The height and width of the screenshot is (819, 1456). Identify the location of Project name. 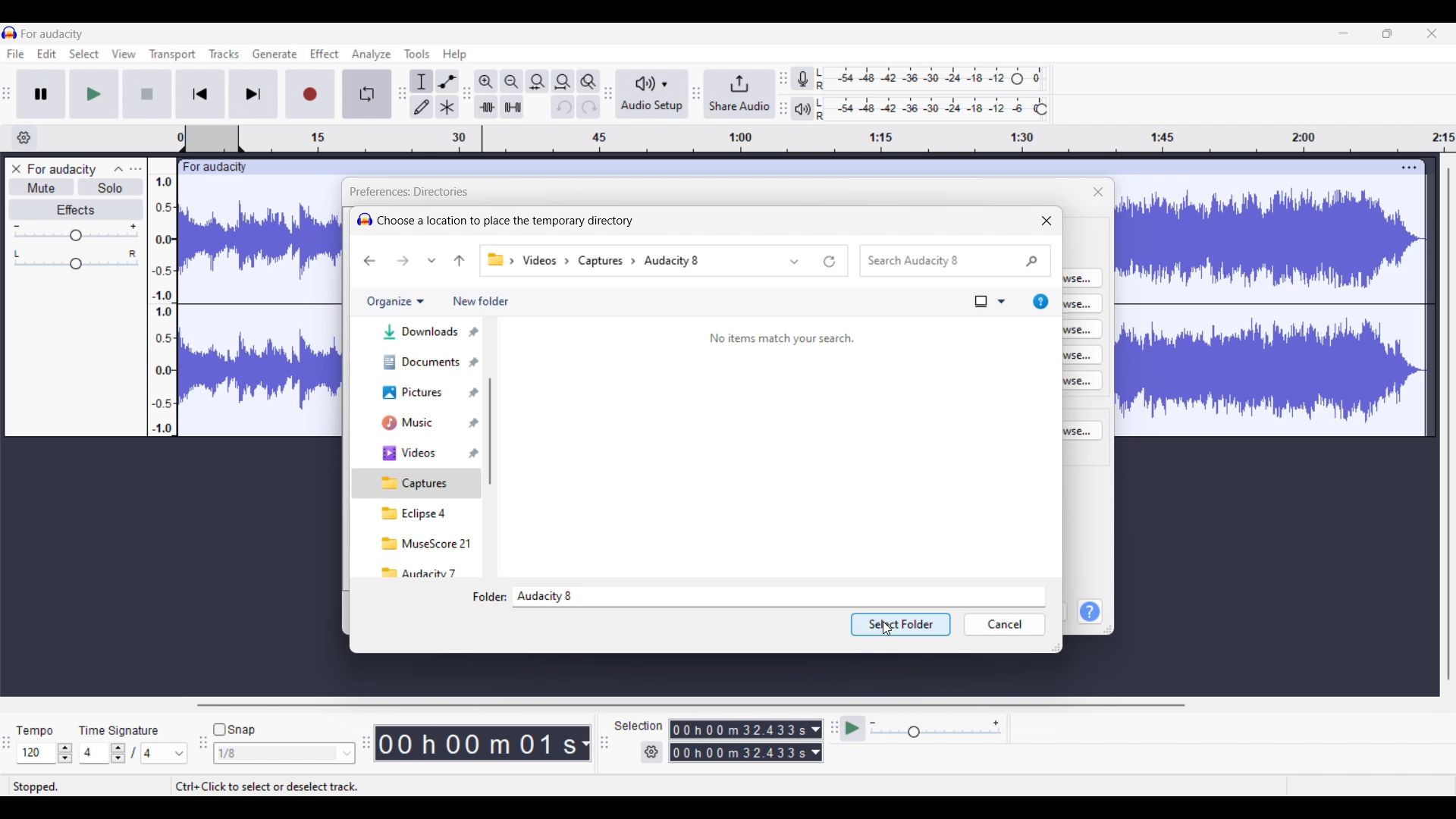
(61, 170).